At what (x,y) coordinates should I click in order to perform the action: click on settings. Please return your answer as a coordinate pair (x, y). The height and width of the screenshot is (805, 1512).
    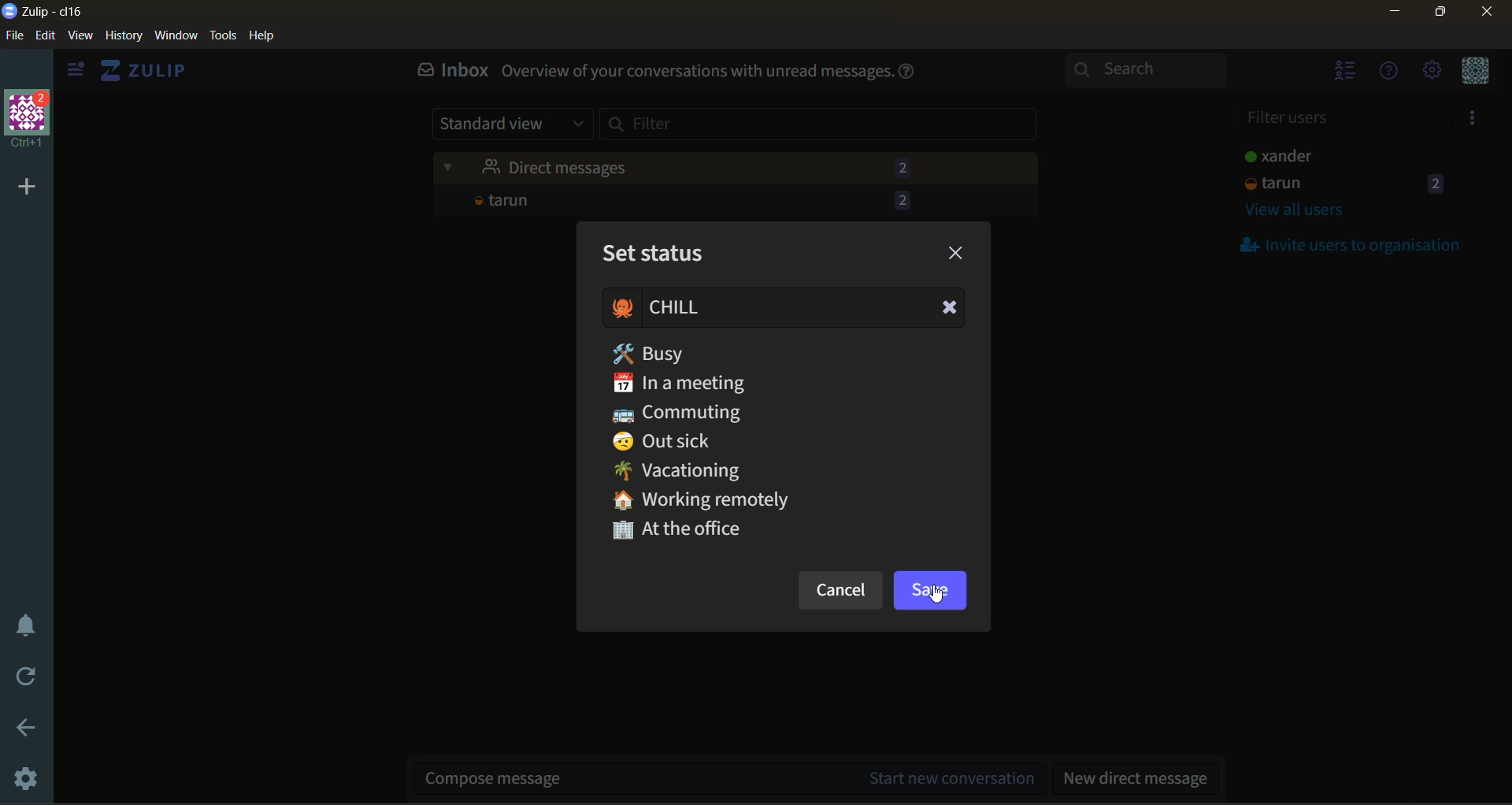
    Looking at the image, I should click on (25, 779).